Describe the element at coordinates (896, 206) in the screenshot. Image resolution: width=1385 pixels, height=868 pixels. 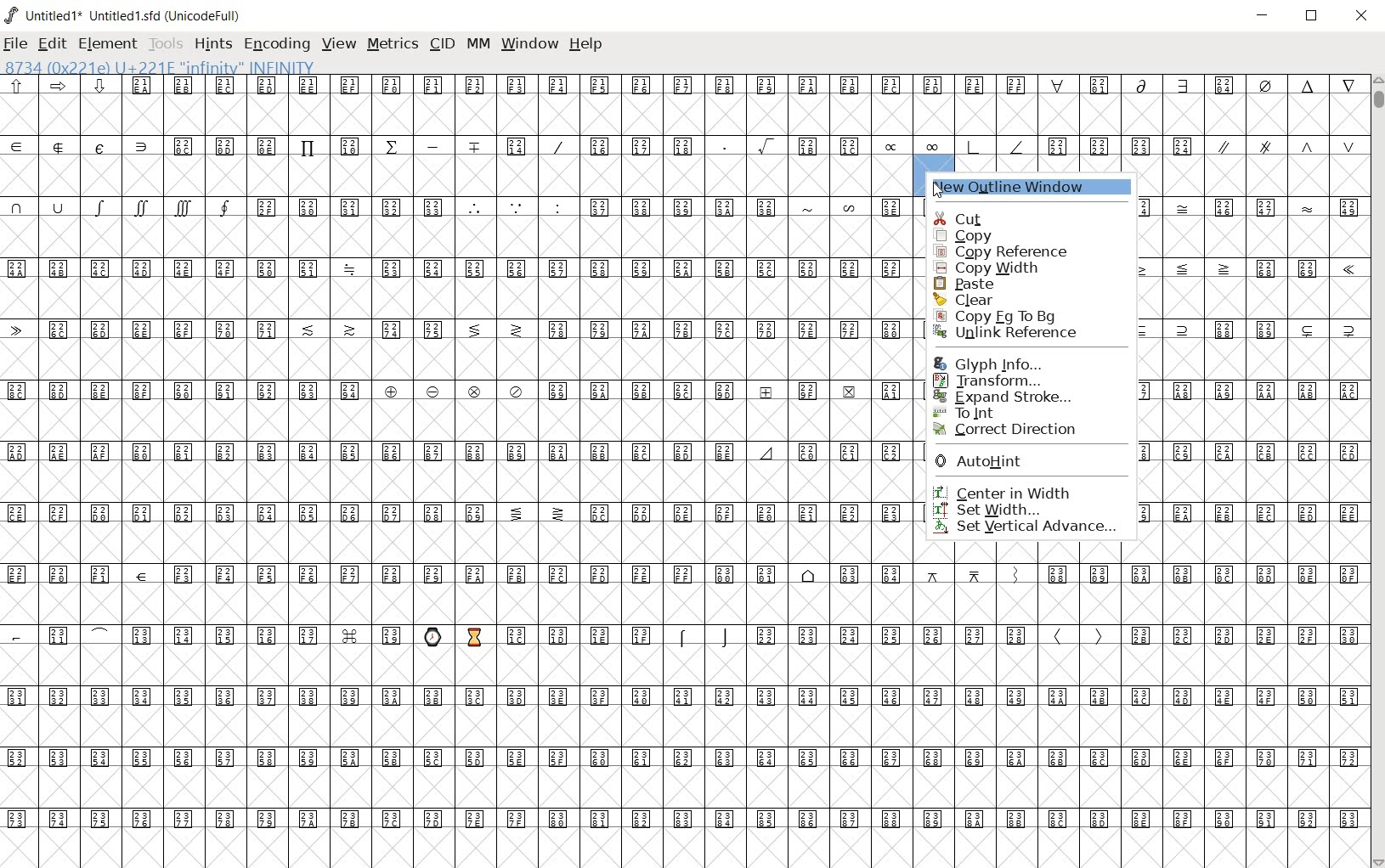
I see `Unicode code points` at that location.